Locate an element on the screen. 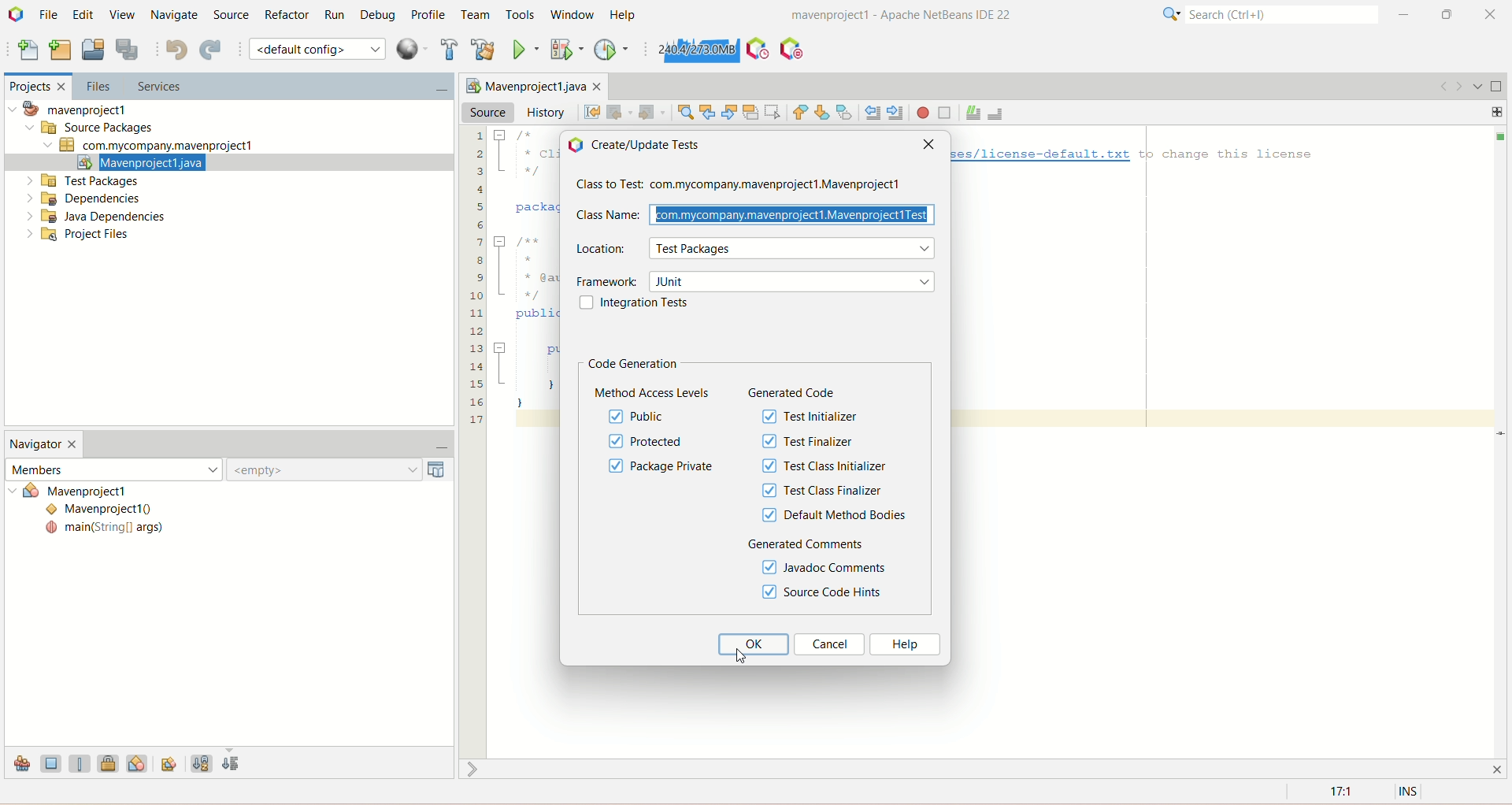  cursor is located at coordinates (739, 663).